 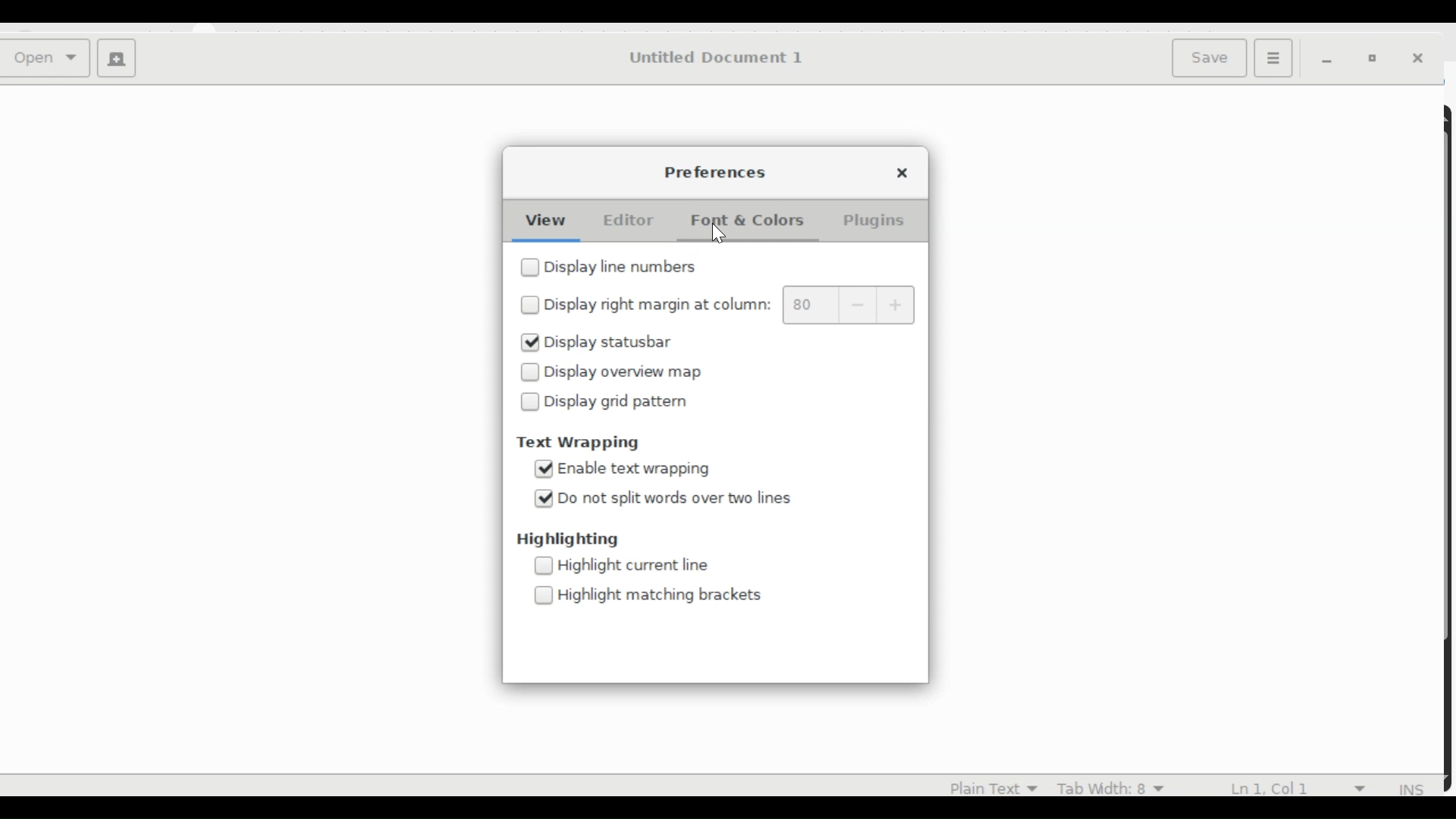 What do you see at coordinates (640, 567) in the screenshot?
I see `Highlight current line` at bounding box center [640, 567].